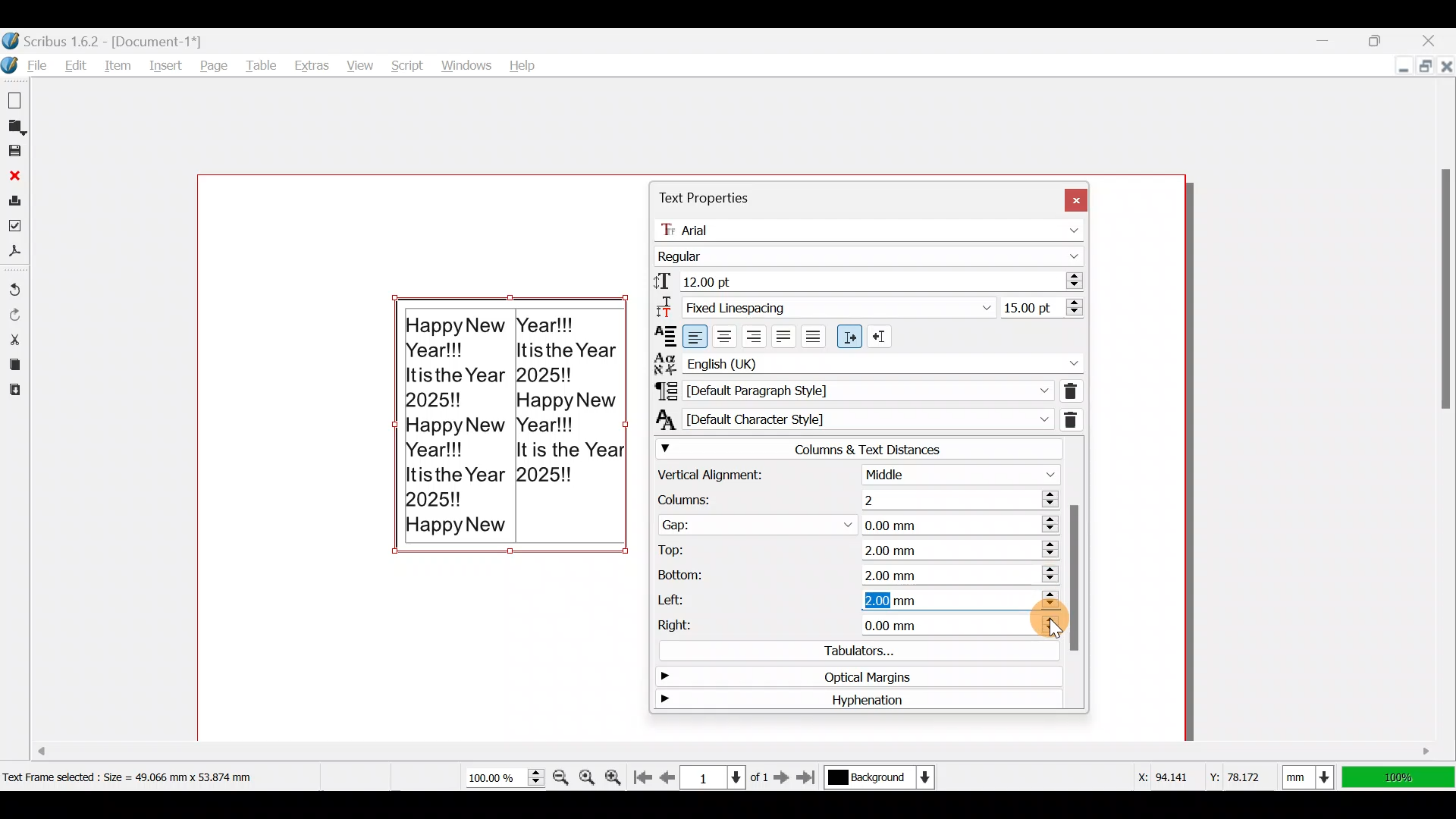 The width and height of the screenshot is (1456, 819). Describe the element at coordinates (17, 228) in the screenshot. I see `Preflight verifier` at that location.